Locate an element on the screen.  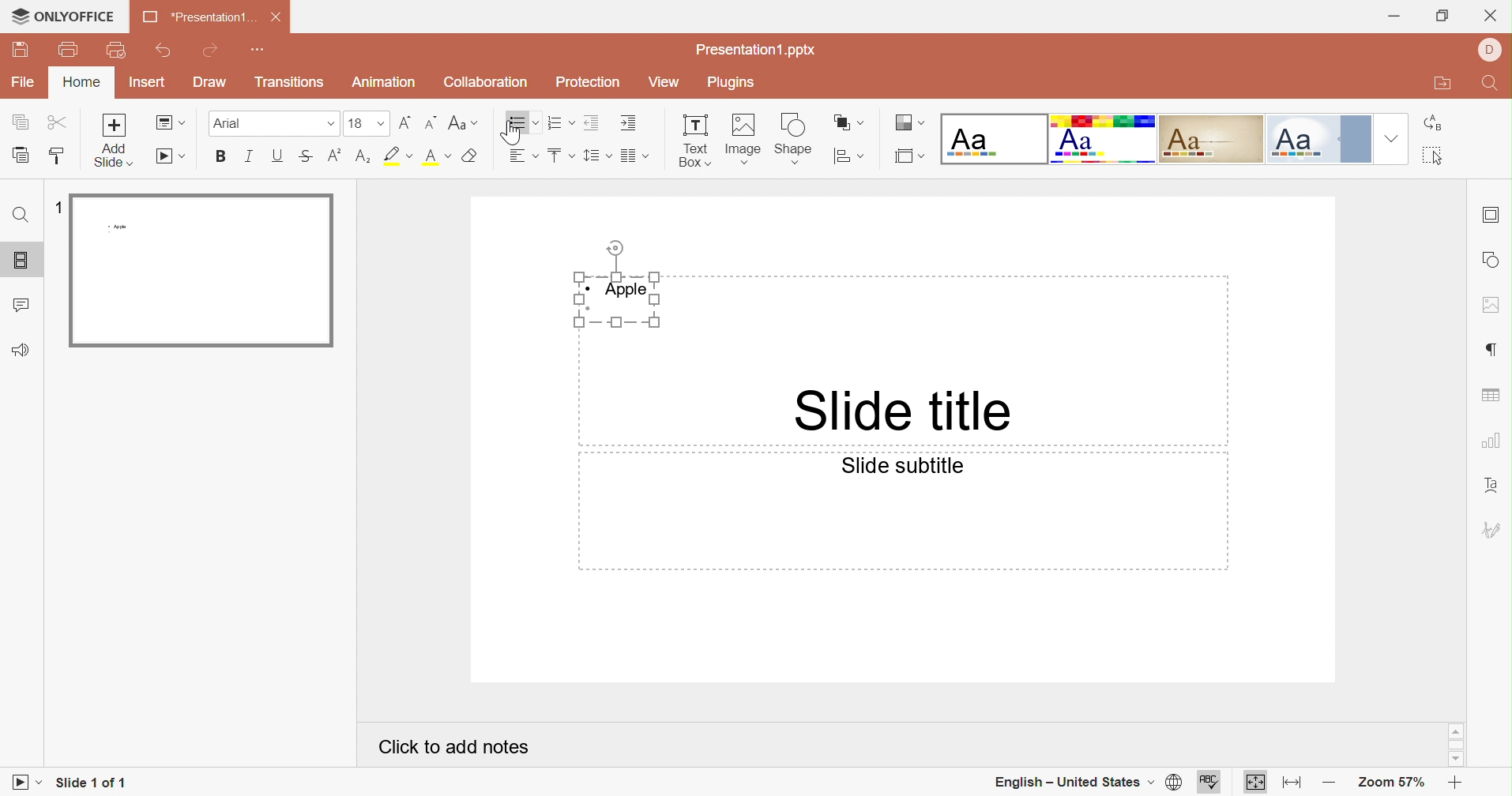
File is located at coordinates (25, 84).